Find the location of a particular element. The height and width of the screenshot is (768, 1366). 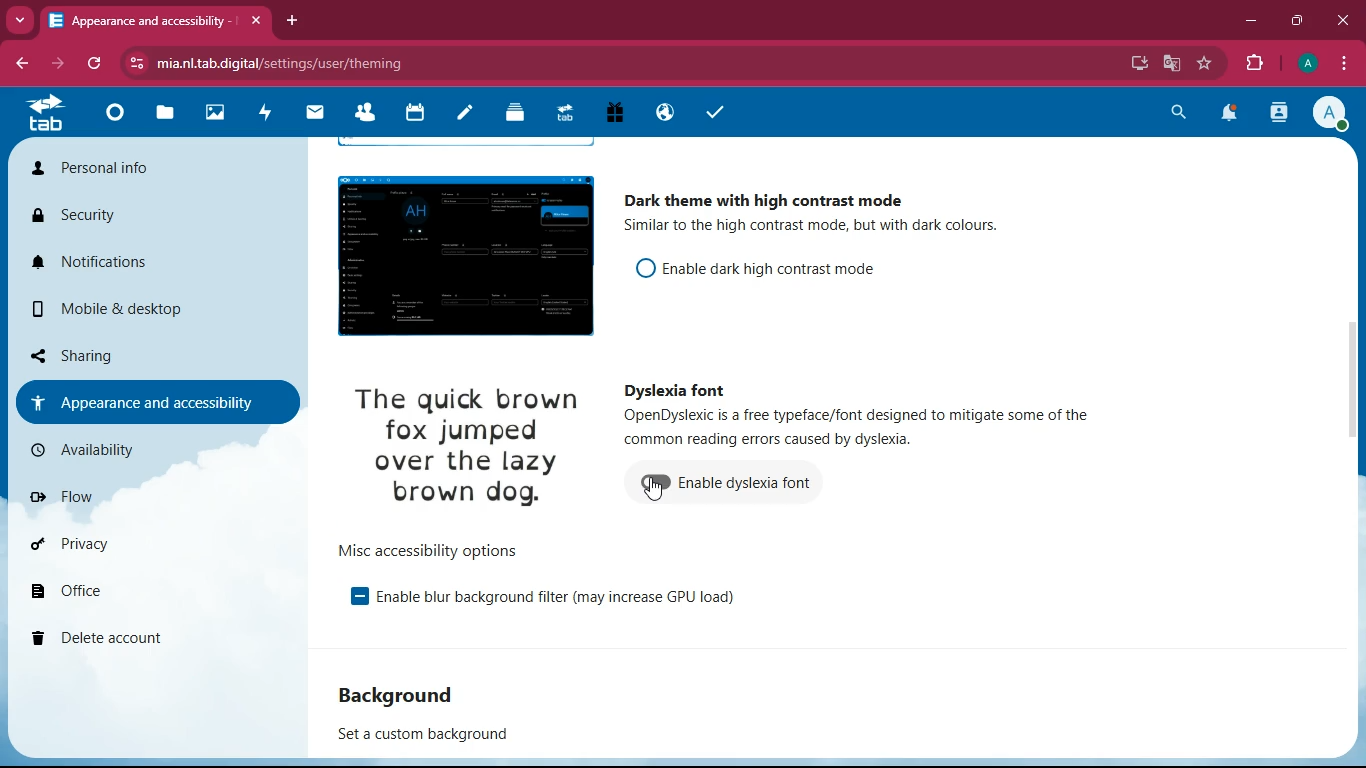

options is located at coordinates (430, 550).